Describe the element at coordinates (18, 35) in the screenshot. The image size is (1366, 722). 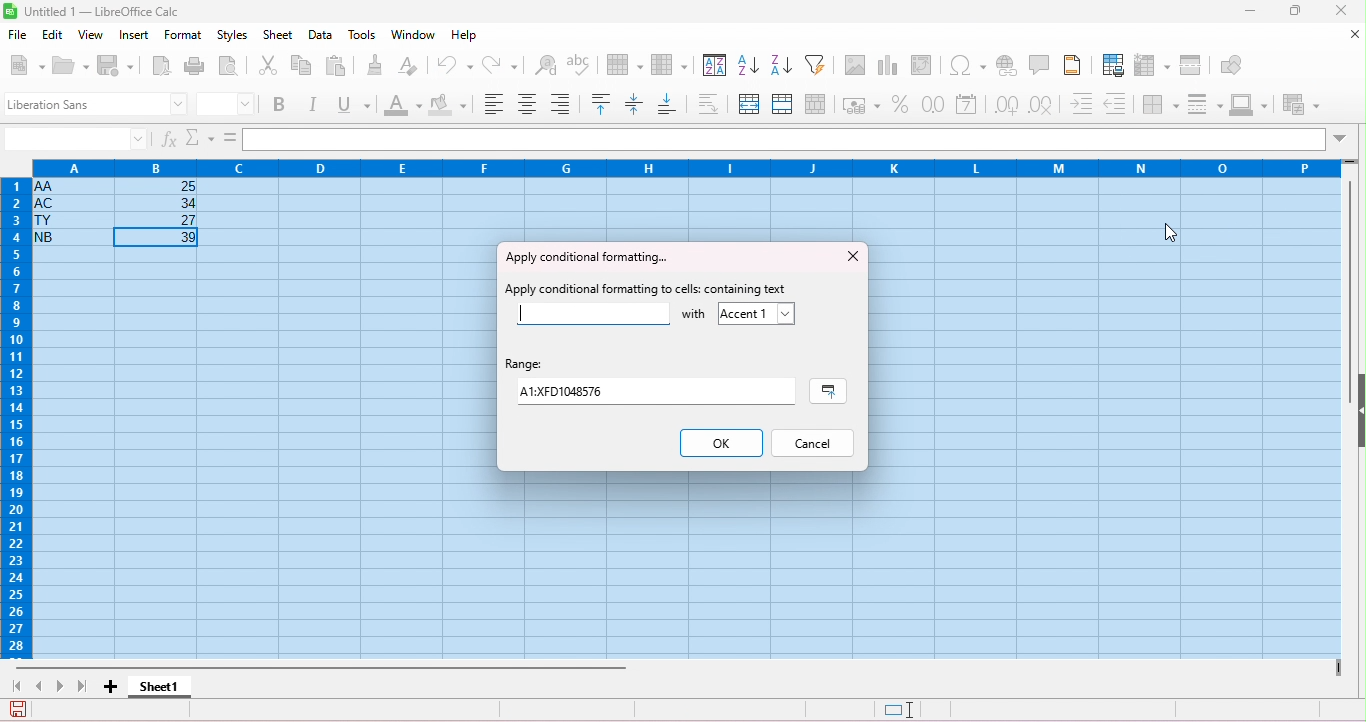
I see `file` at that location.